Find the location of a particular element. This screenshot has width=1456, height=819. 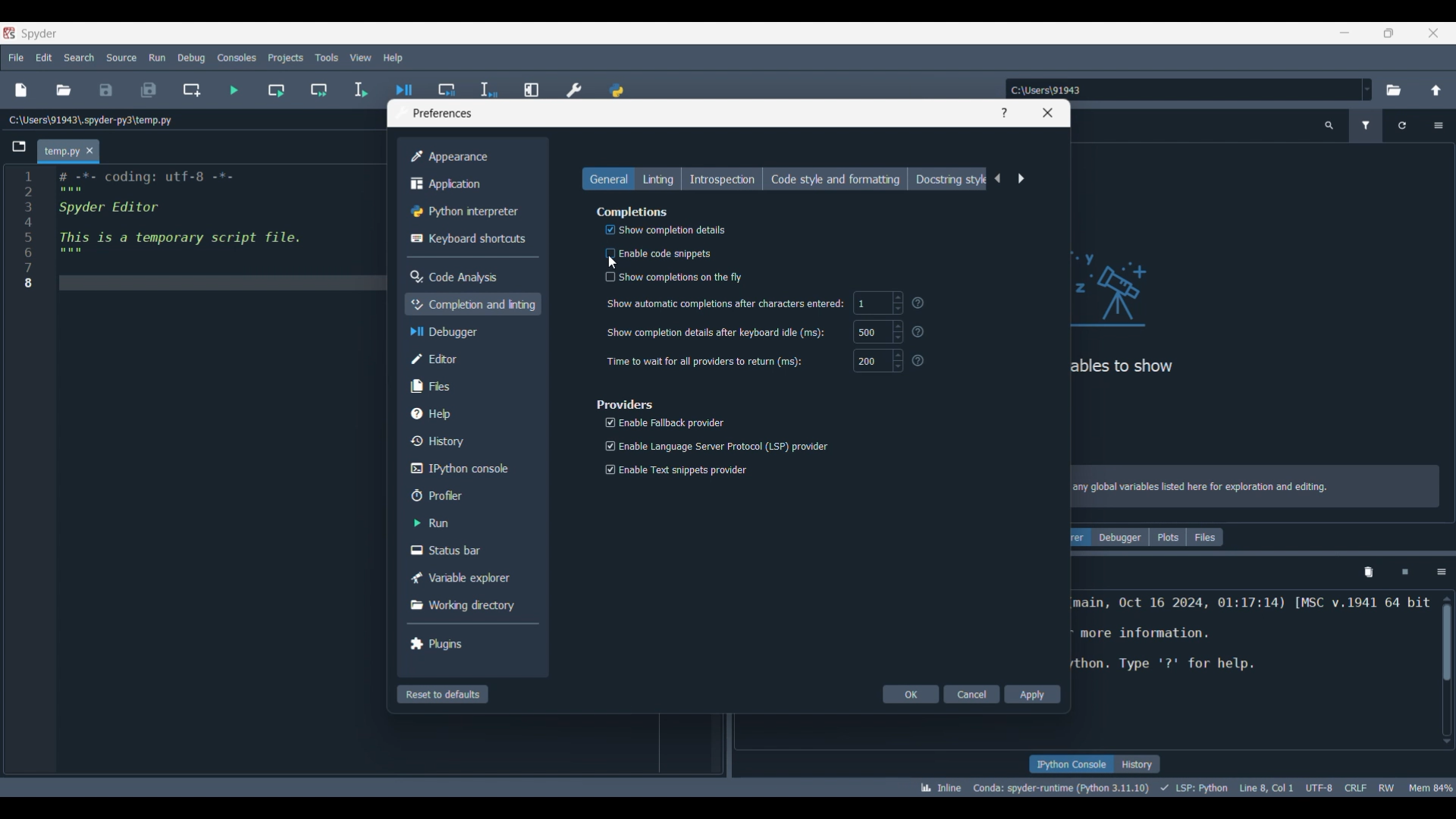

OK is located at coordinates (911, 694).